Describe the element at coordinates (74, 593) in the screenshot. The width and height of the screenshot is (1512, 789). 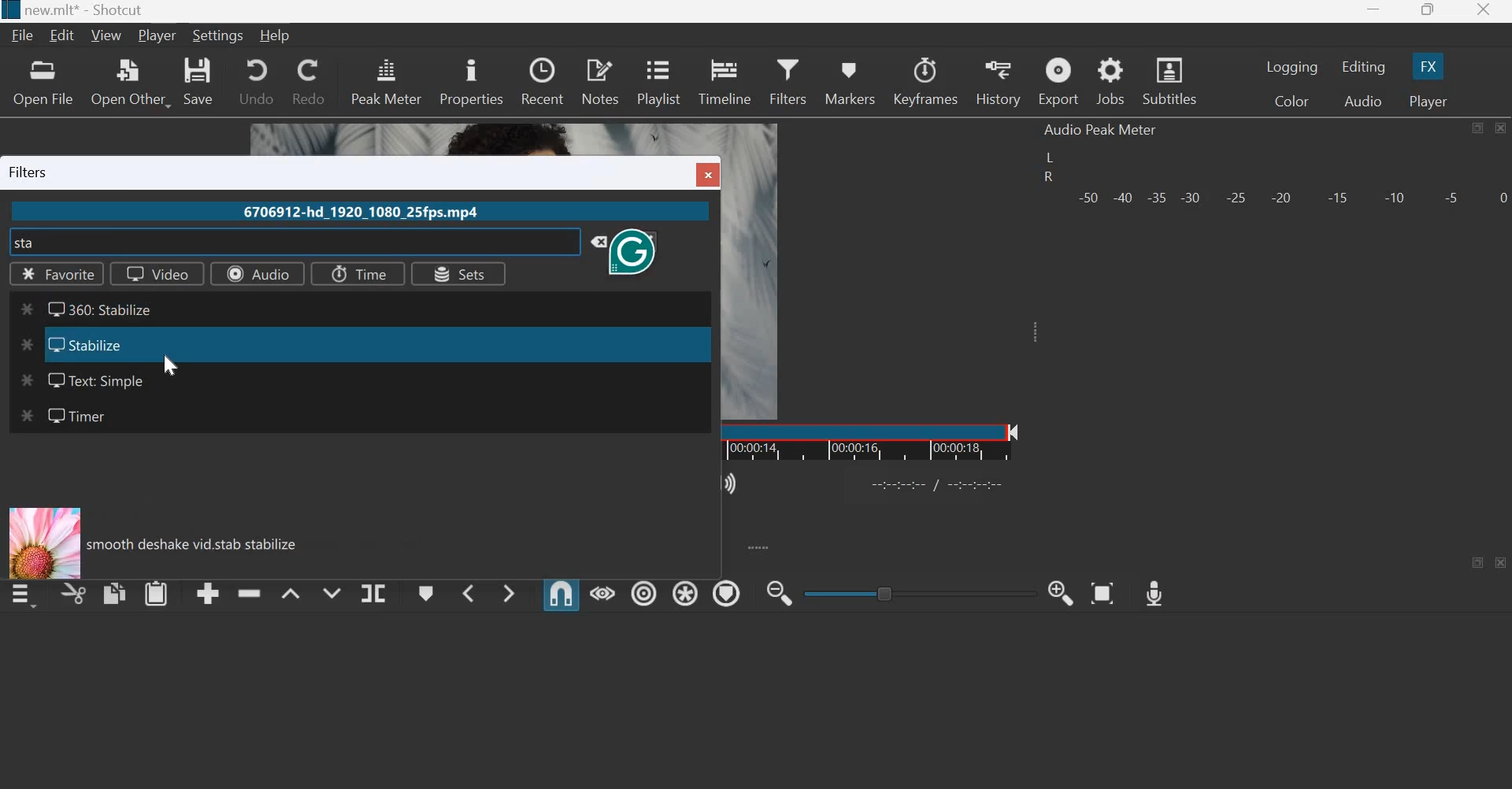
I see `cut` at that location.